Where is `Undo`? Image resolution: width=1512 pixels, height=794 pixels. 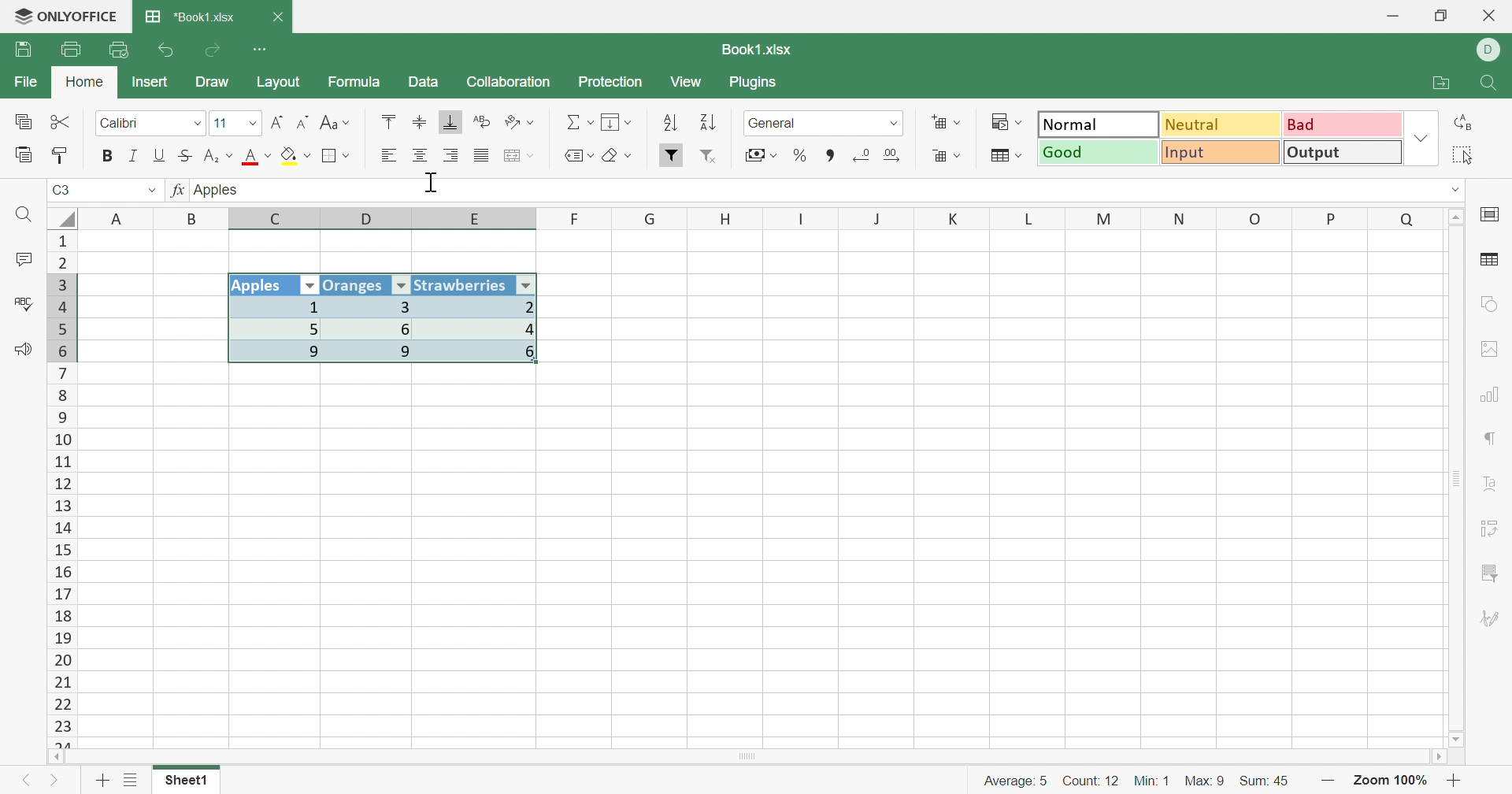 Undo is located at coordinates (167, 50).